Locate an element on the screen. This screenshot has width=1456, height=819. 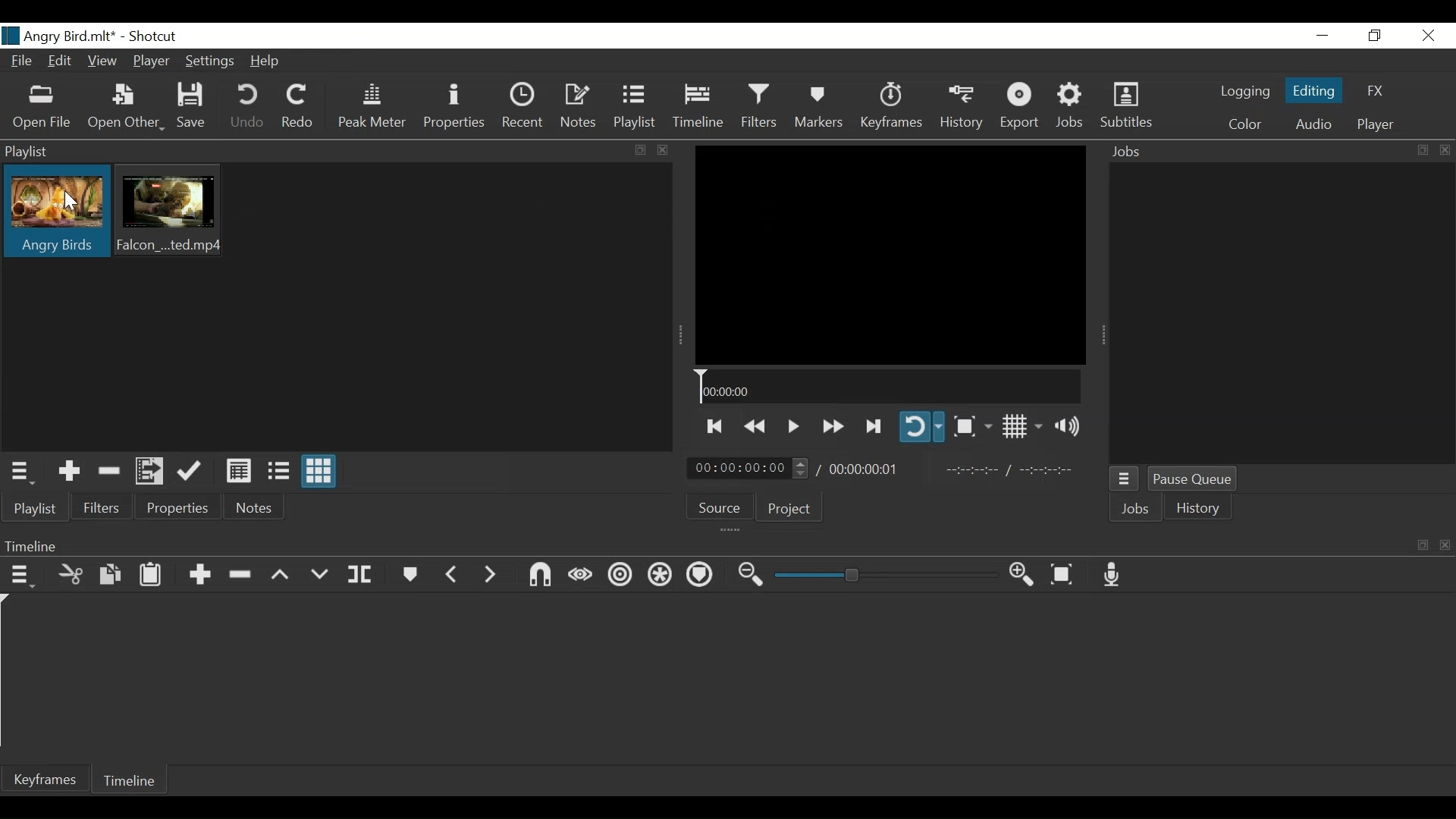
Timeline is located at coordinates (698, 108).